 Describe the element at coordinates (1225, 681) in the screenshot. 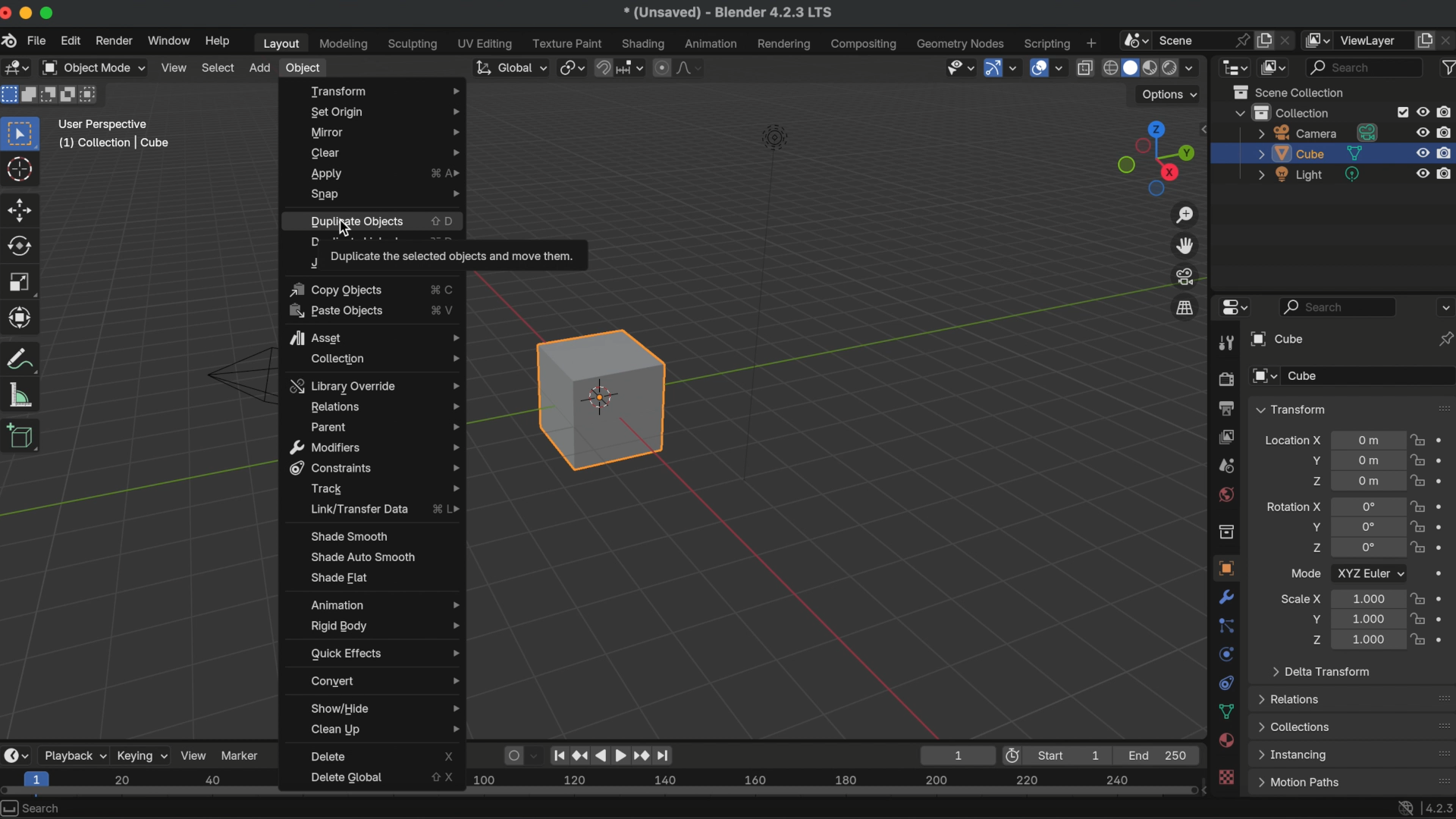

I see `contraints` at that location.